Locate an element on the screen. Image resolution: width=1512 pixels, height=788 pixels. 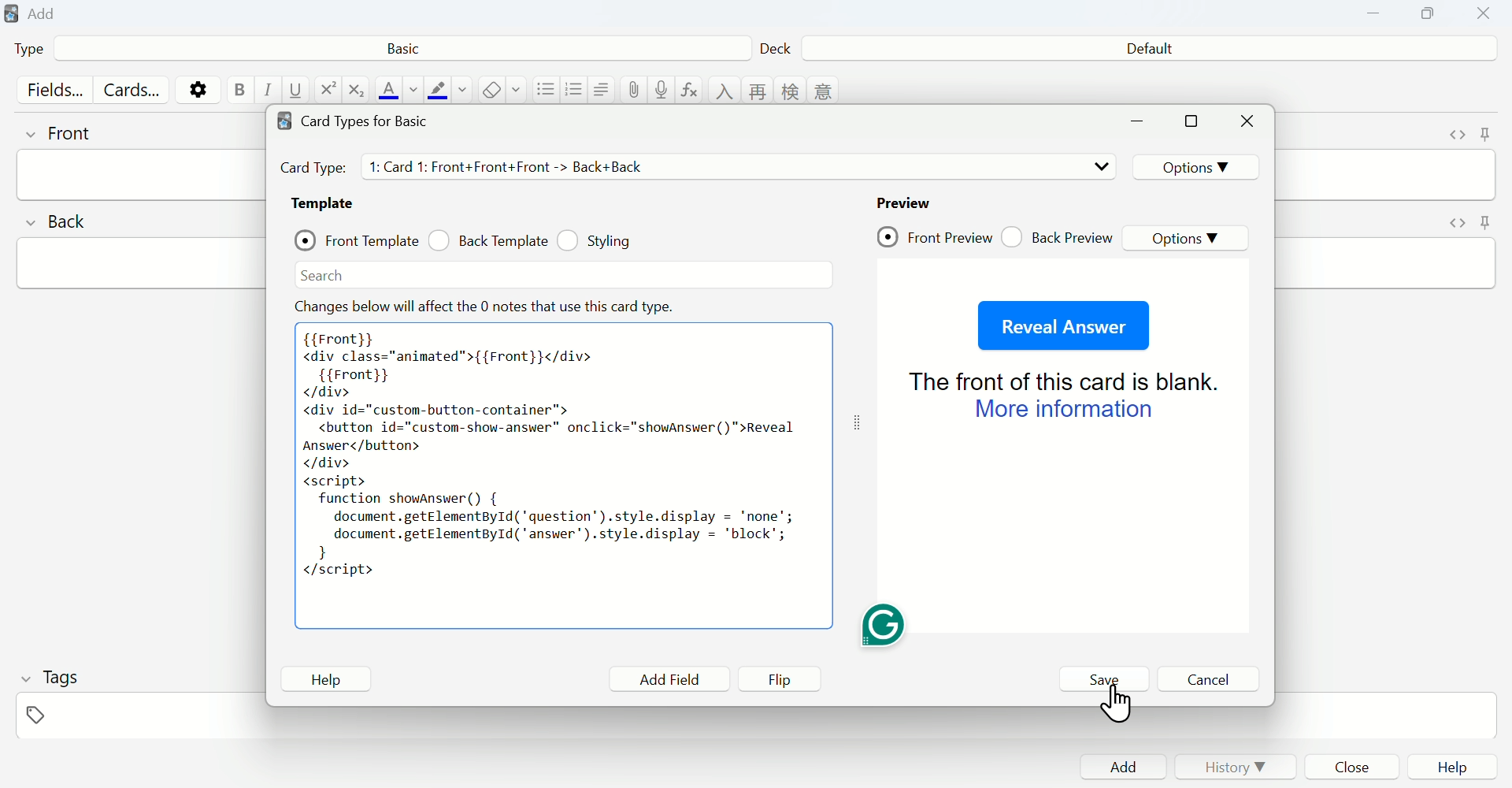
change color is located at coordinates (462, 90).